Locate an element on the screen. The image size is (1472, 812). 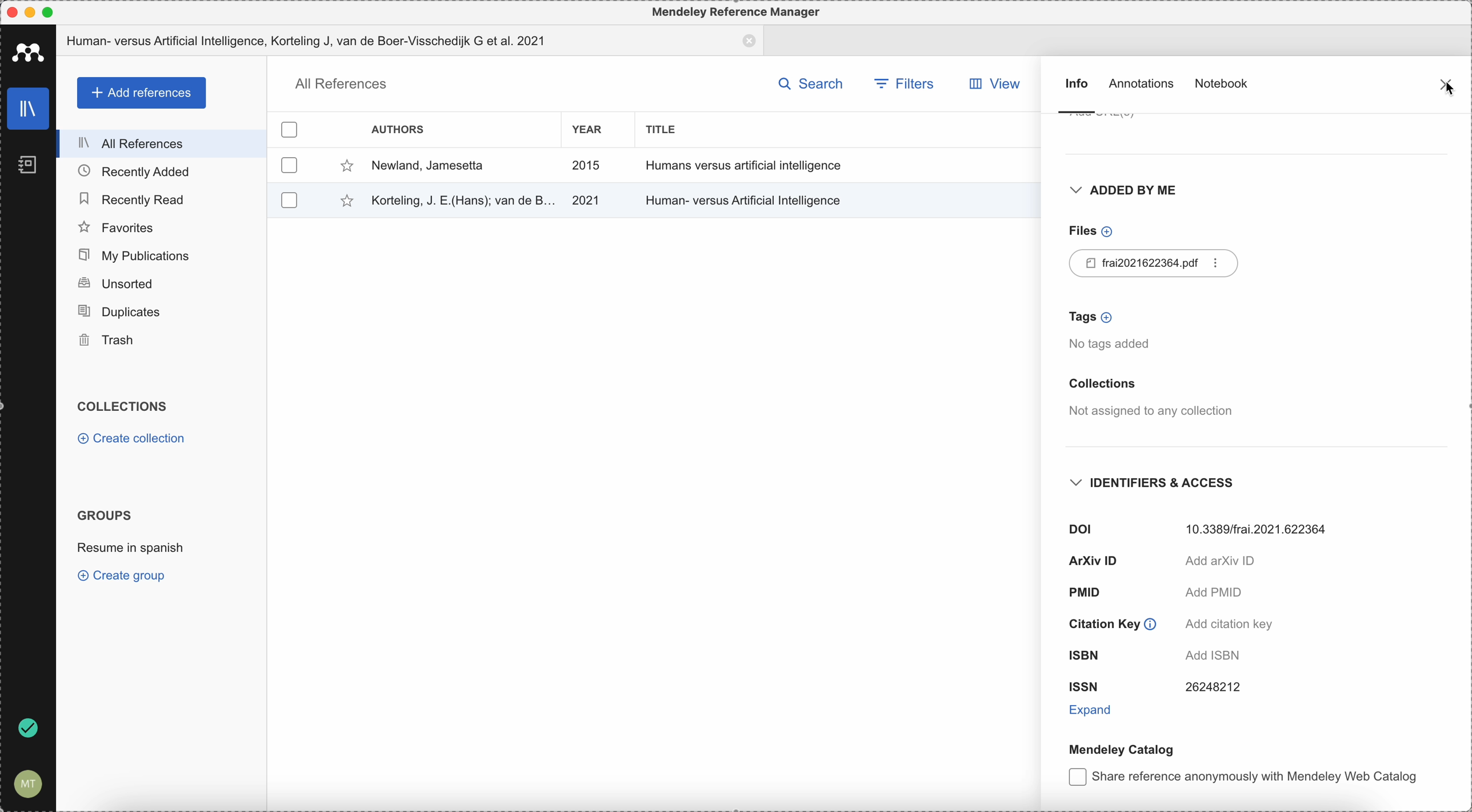
all references is located at coordinates (162, 143).